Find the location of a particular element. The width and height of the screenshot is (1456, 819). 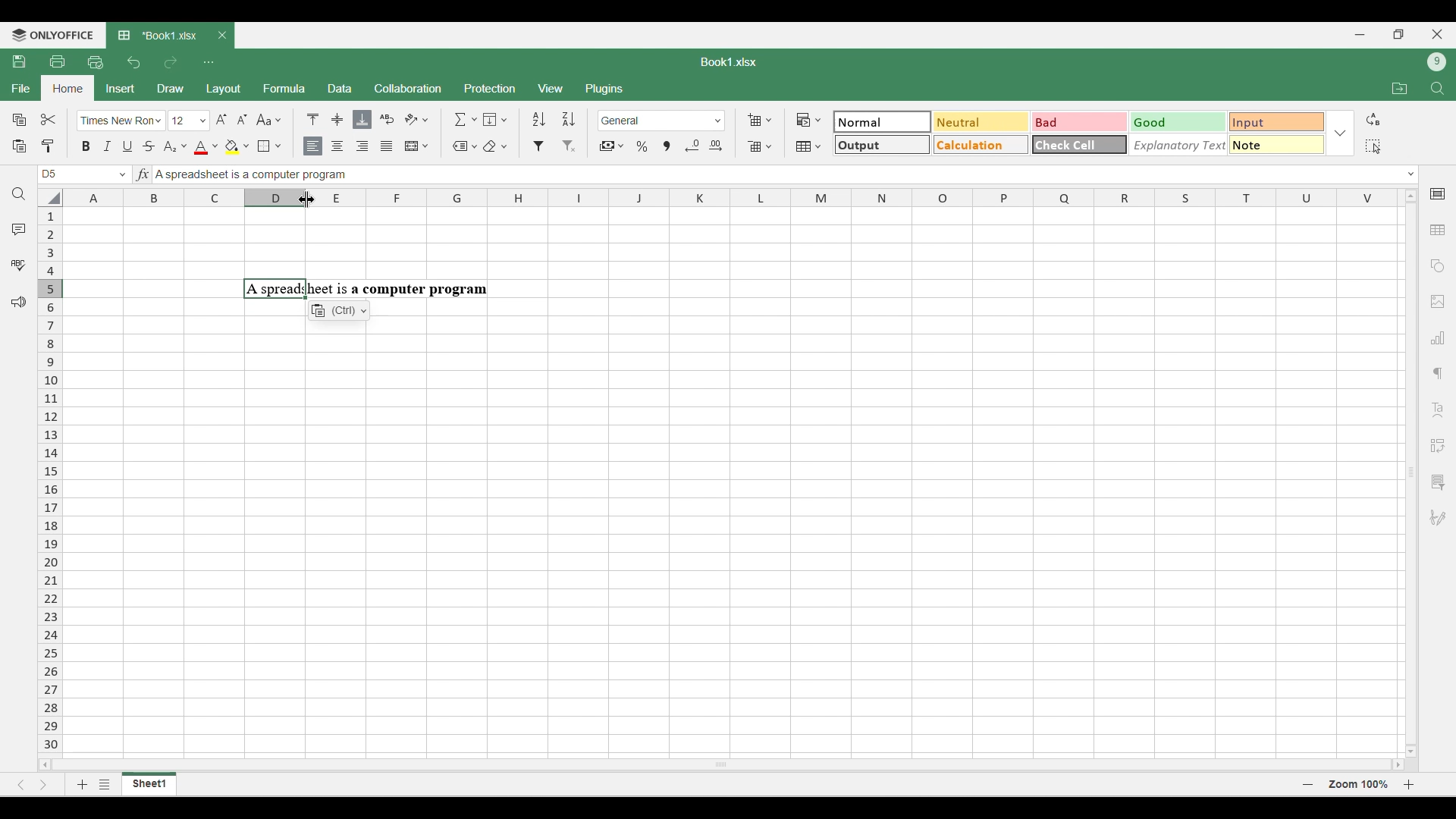

Zoom 100% is located at coordinates (1358, 783).